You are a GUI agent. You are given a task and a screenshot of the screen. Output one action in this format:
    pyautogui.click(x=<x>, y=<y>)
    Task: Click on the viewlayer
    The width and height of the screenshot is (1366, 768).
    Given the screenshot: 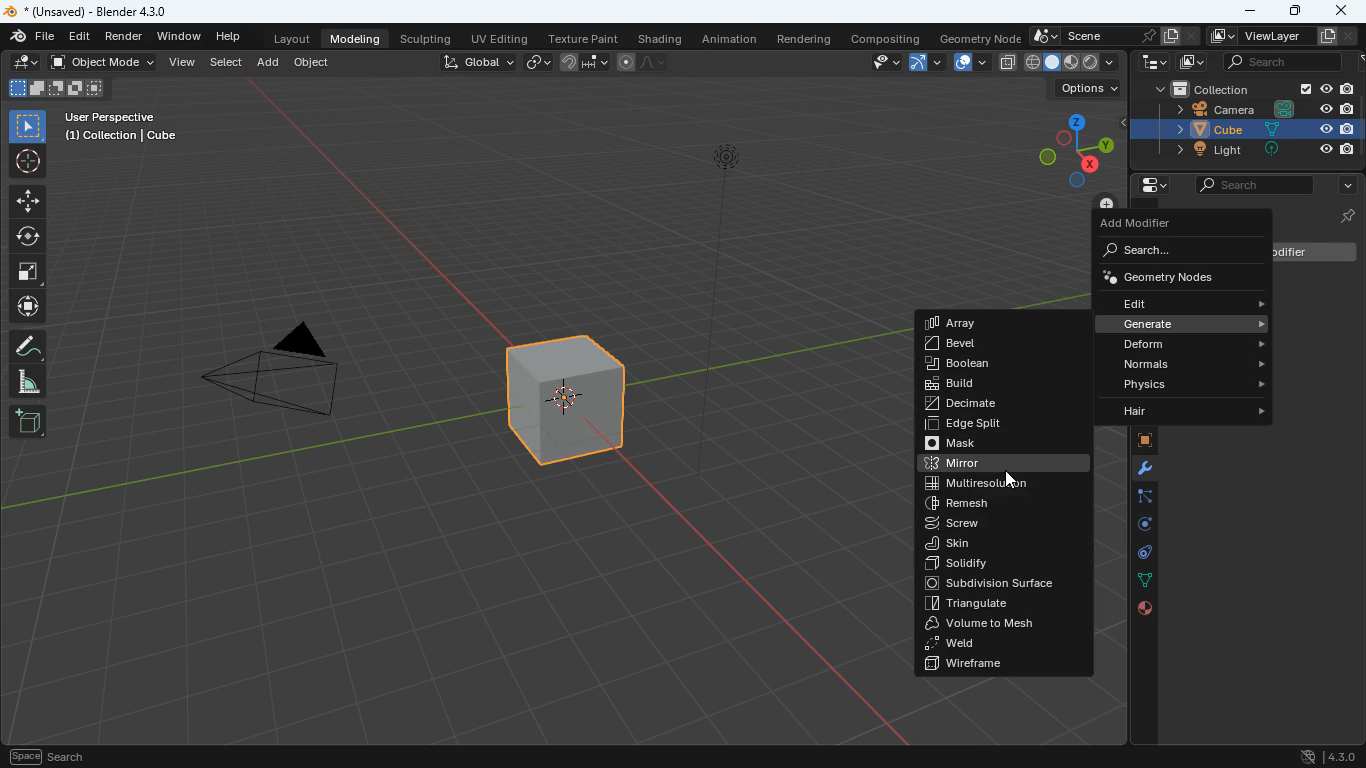 What is the action you would take?
    pyautogui.click(x=1276, y=37)
    